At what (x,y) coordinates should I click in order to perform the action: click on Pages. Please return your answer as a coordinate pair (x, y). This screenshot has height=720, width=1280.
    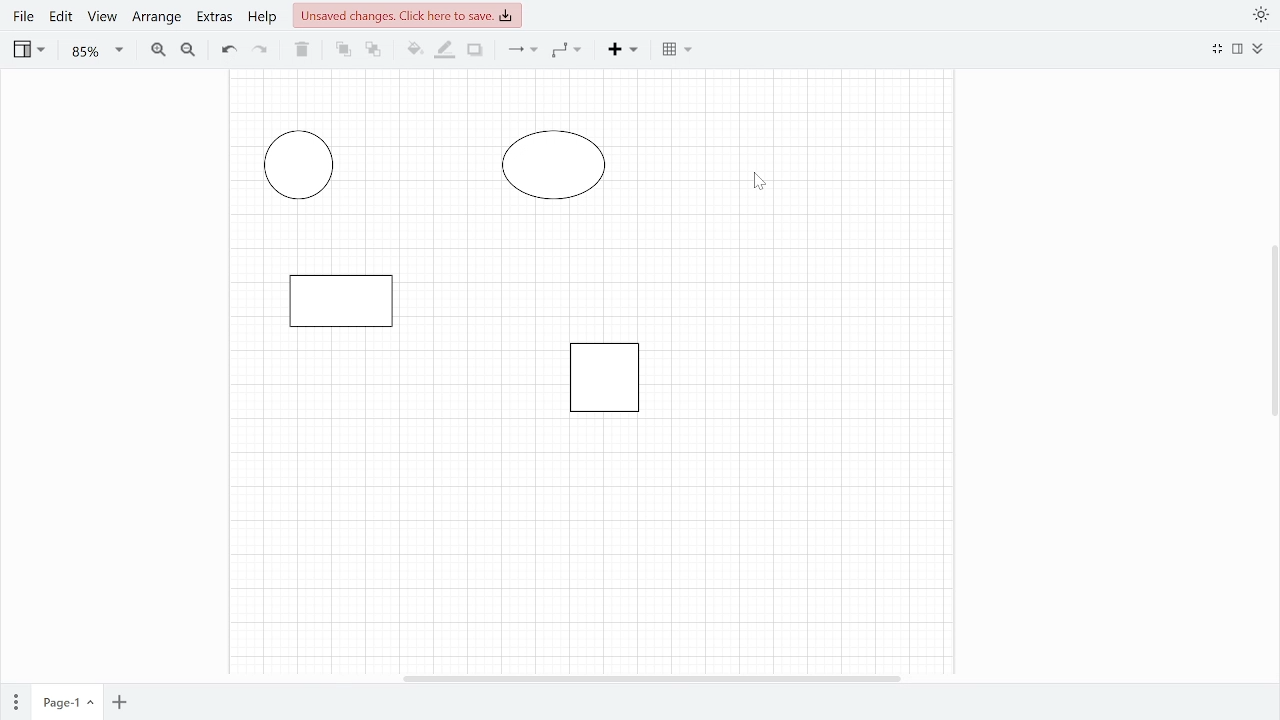
    Looking at the image, I should click on (17, 698).